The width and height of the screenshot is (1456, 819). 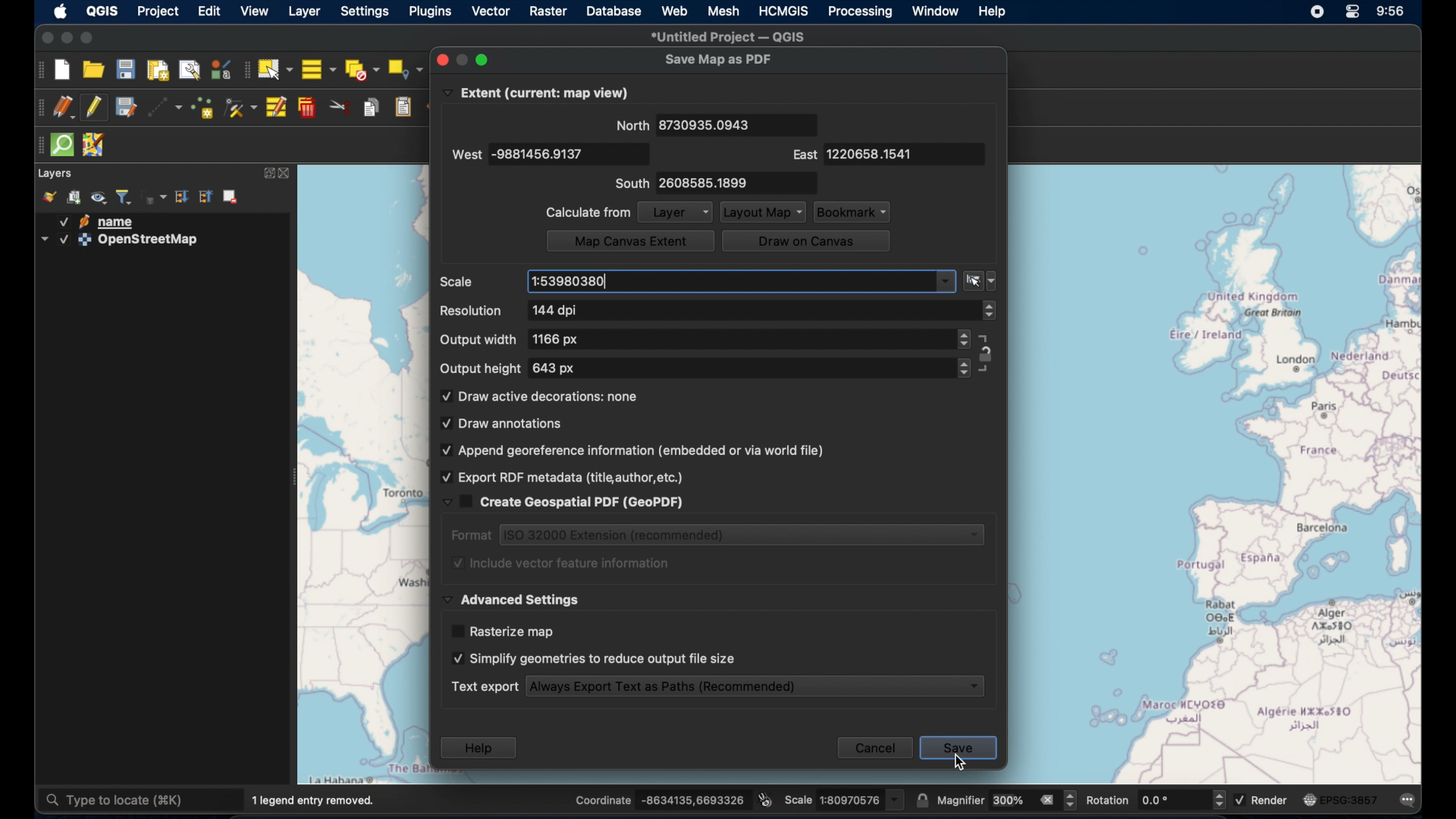 I want to click on render, so click(x=1263, y=799).